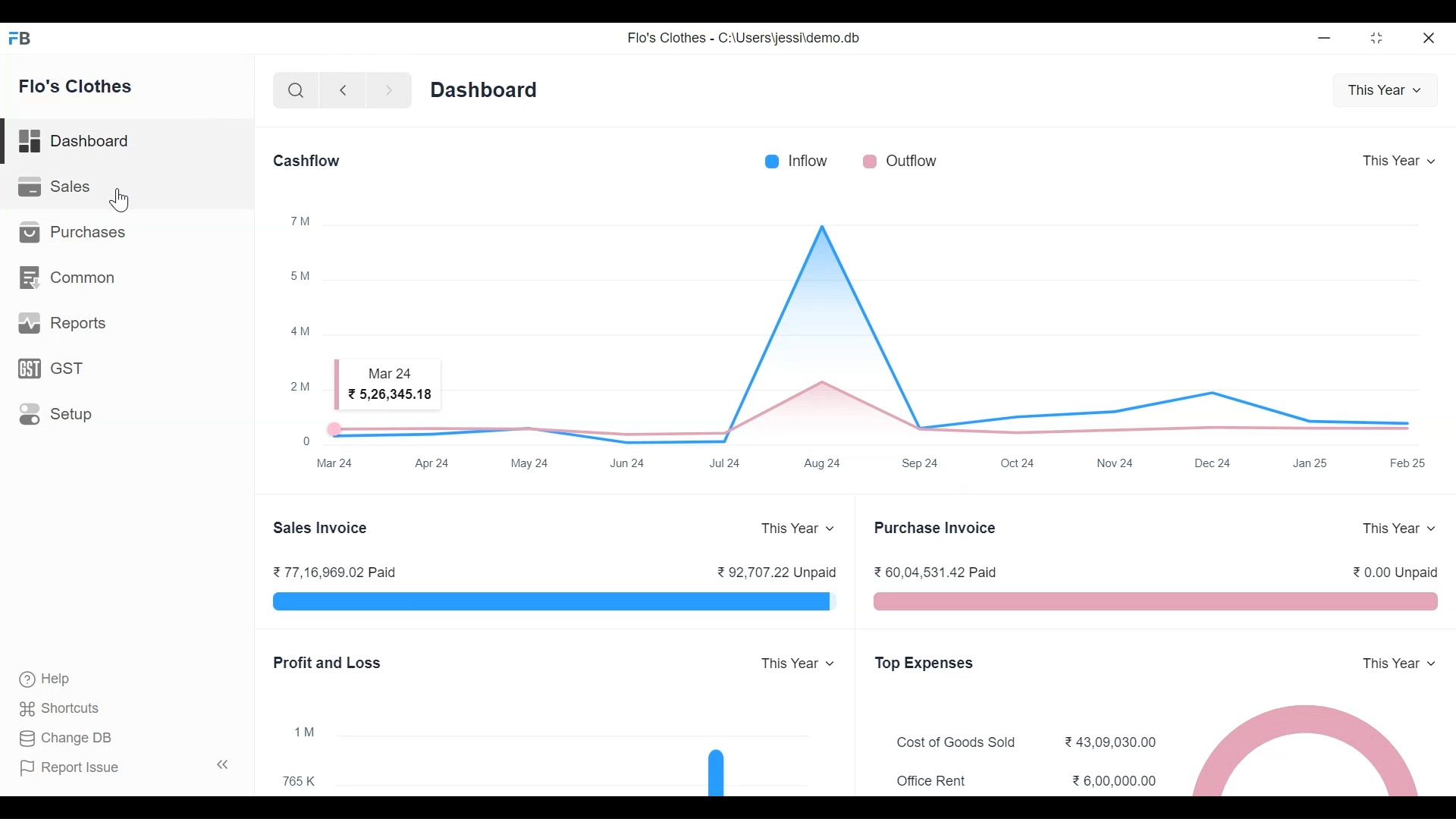 Image resolution: width=1456 pixels, height=819 pixels. Describe the element at coordinates (630, 462) in the screenshot. I see `Jun 24` at that location.